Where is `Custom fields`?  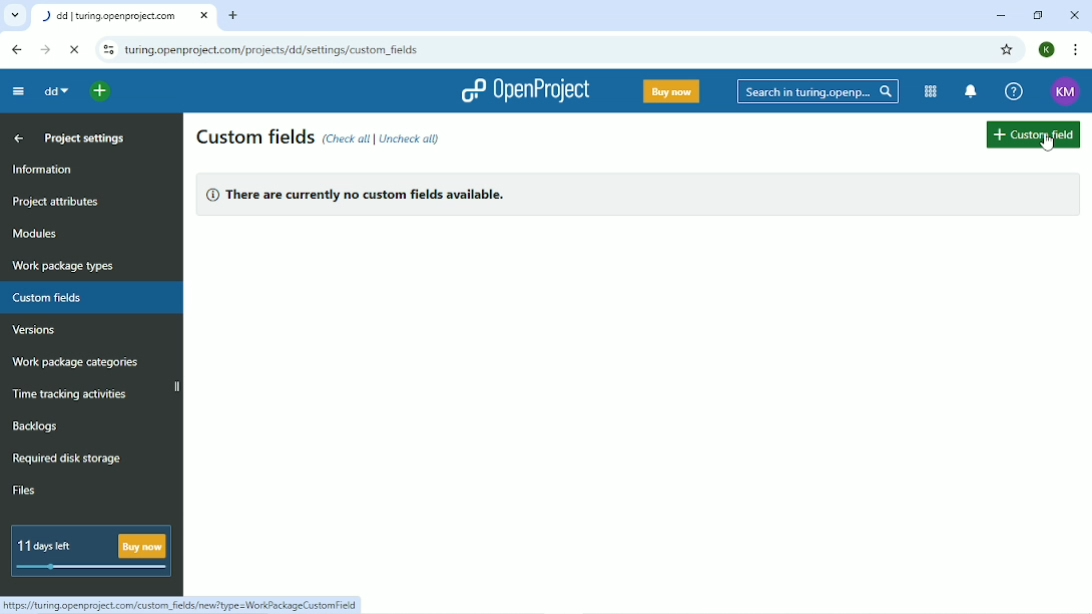
Custom fields is located at coordinates (93, 299).